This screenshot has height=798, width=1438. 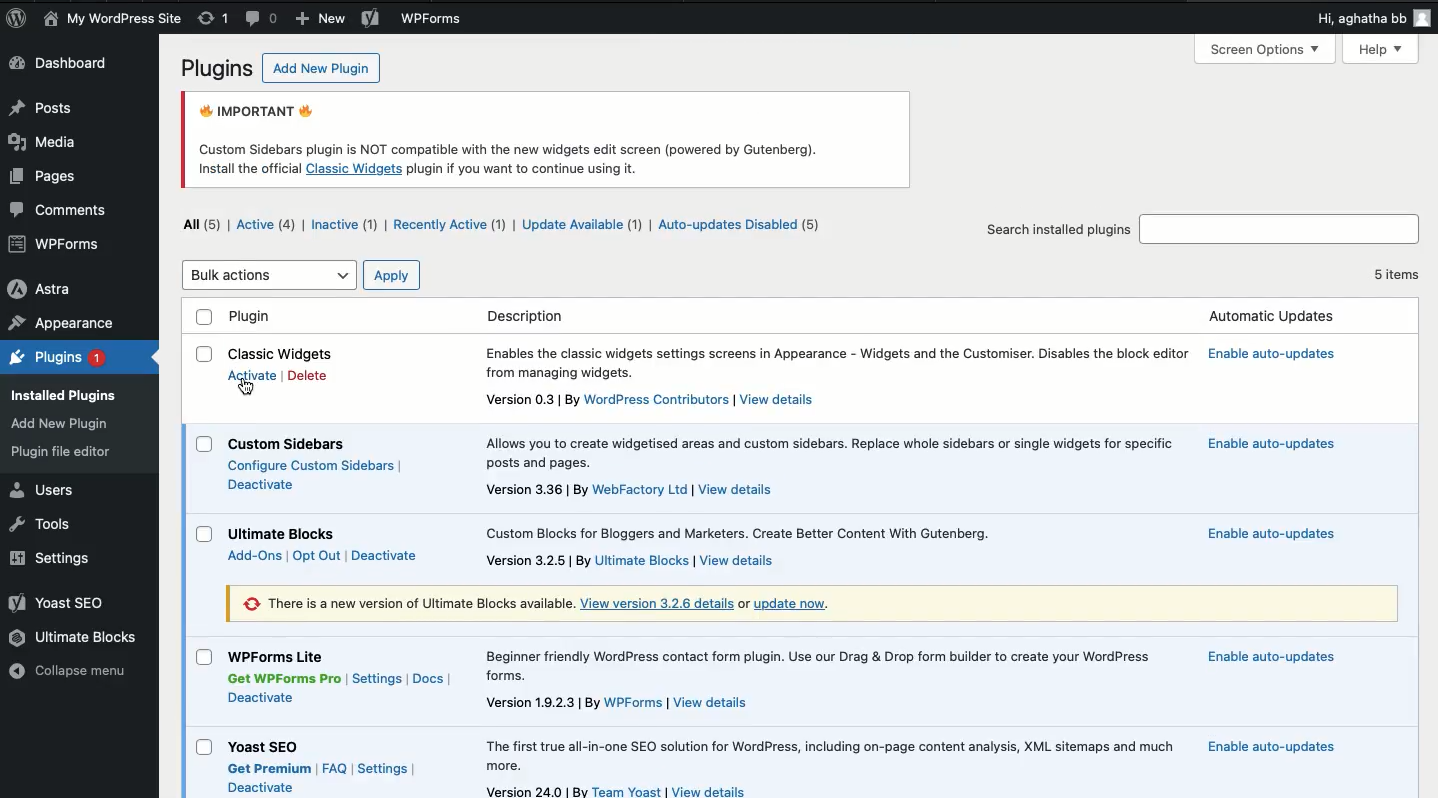 I want to click on version, so click(x=532, y=489).